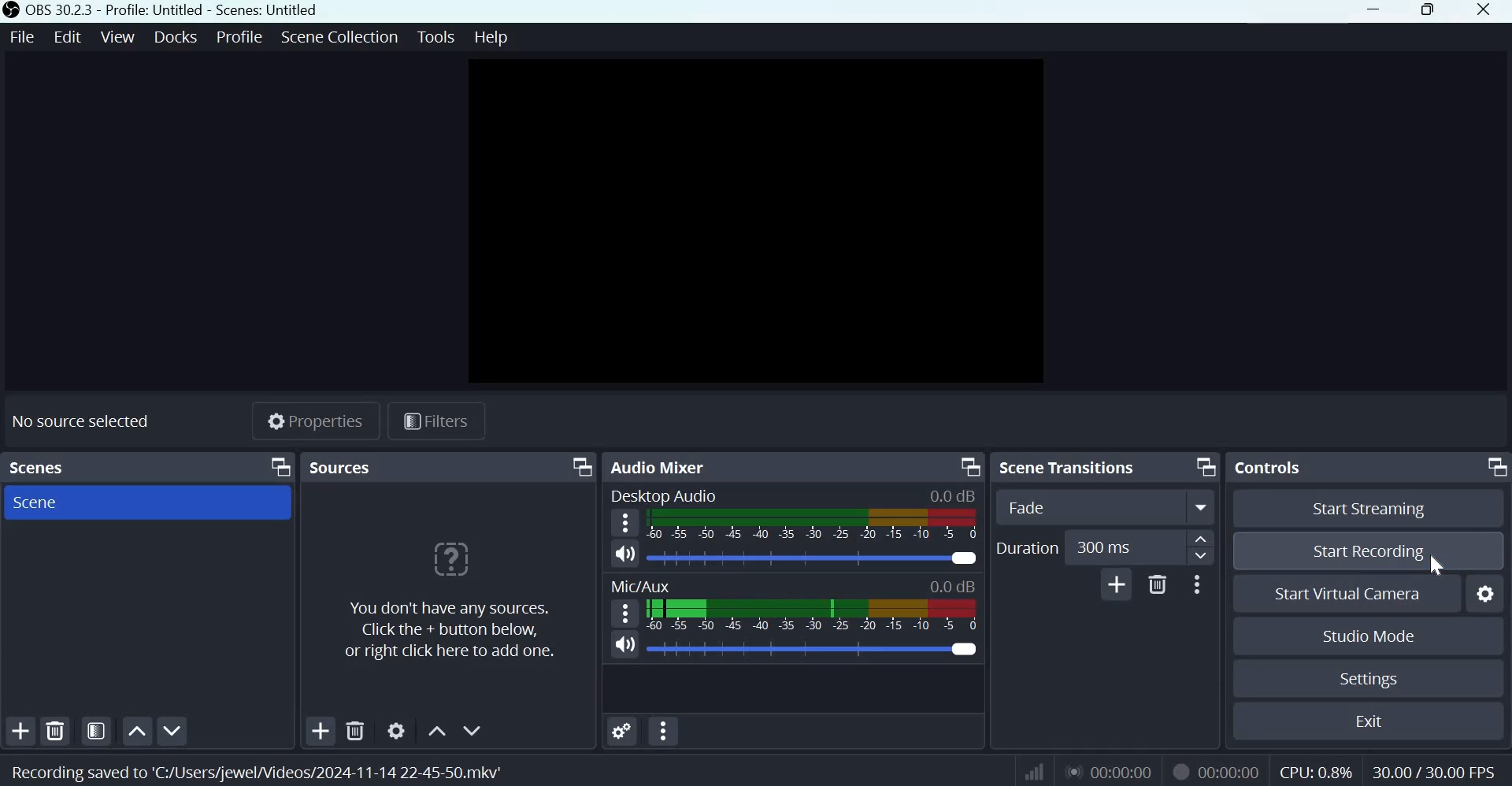 The image size is (1512, 786). I want to click on 300 ms, so click(1127, 547).